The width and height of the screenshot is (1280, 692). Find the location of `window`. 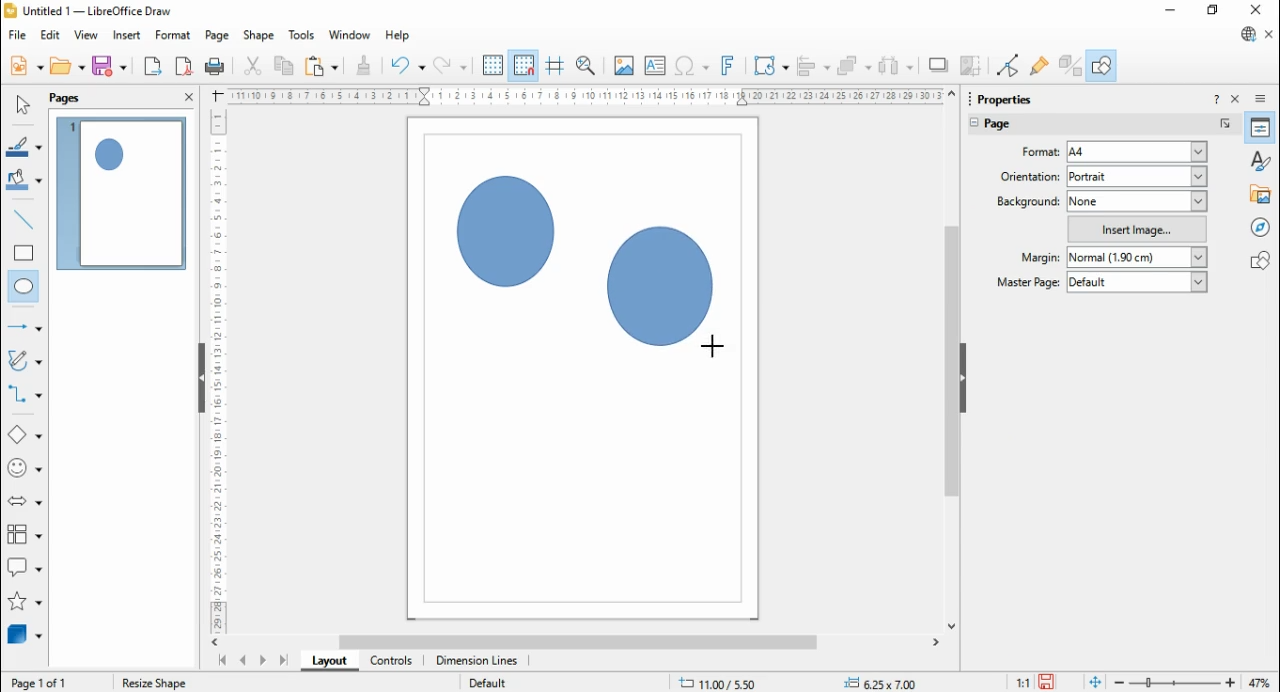

window is located at coordinates (350, 35).